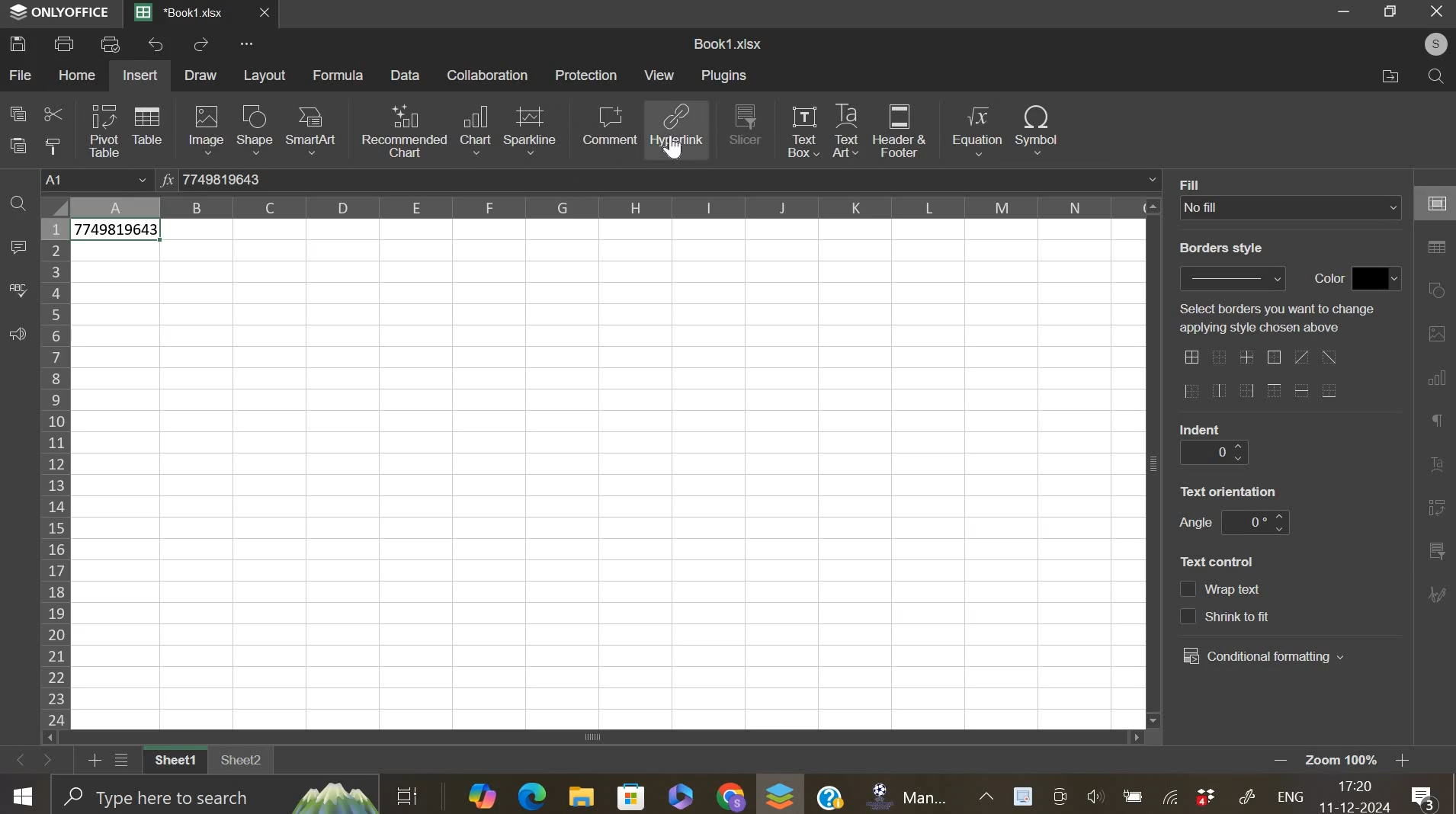 The width and height of the screenshot is (1456, 814). What do you see at coordinates (727, 43) in the screenshot?
I see `spreadsheet name` at bounding box center [727, 43].